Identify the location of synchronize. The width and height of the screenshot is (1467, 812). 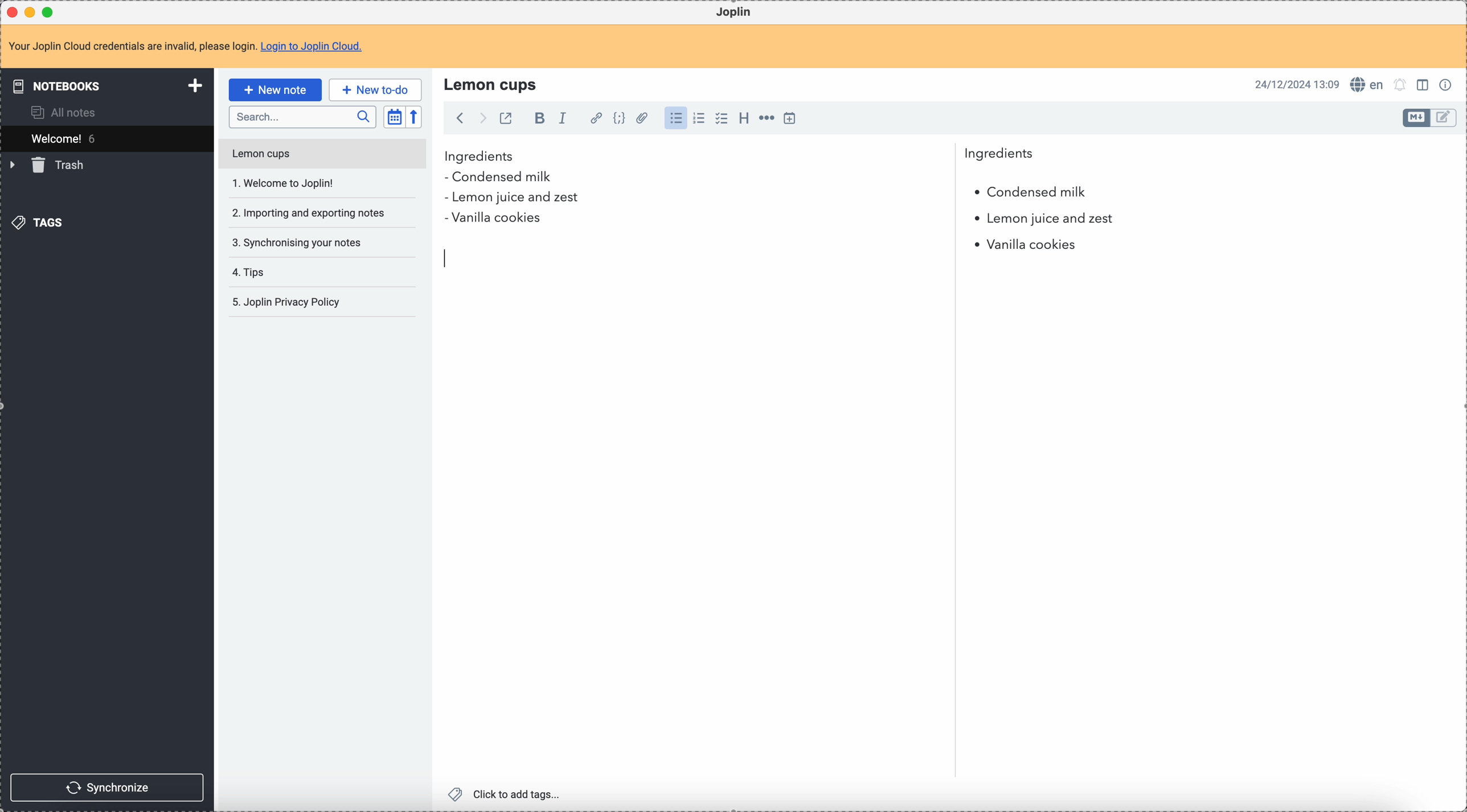
(108, 788).